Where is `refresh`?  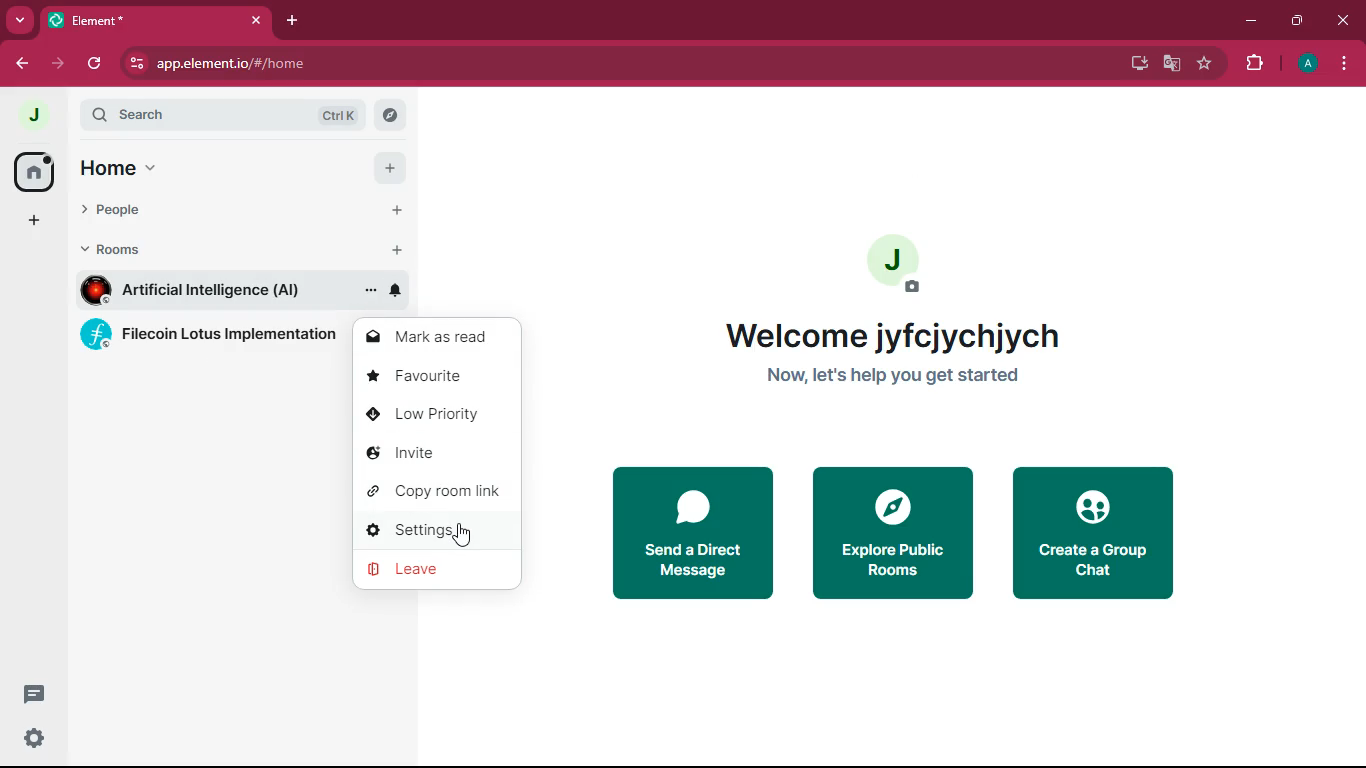 refresh is located at coordinates (96, 64).